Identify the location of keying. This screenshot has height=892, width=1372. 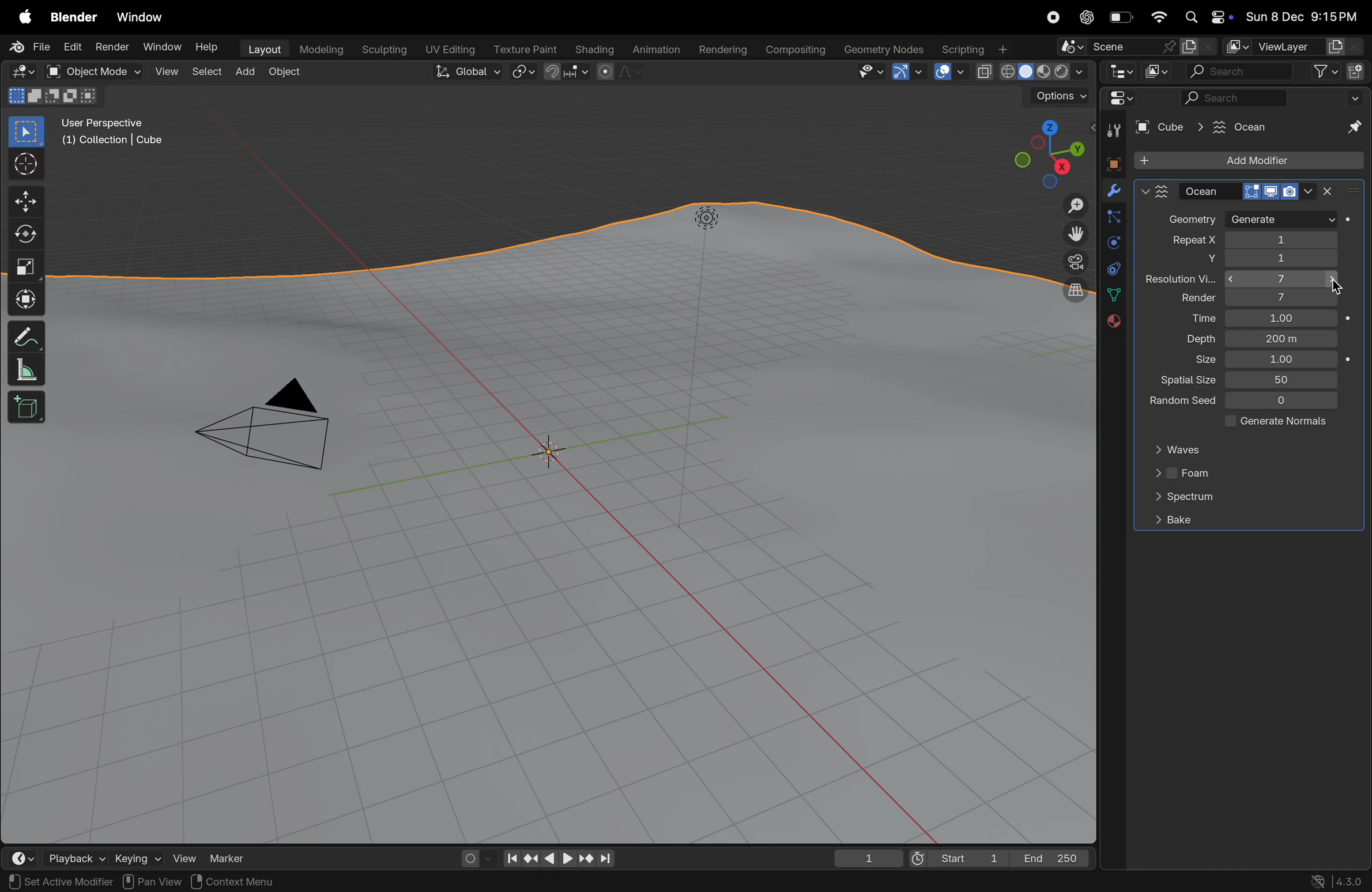
(135, 857).